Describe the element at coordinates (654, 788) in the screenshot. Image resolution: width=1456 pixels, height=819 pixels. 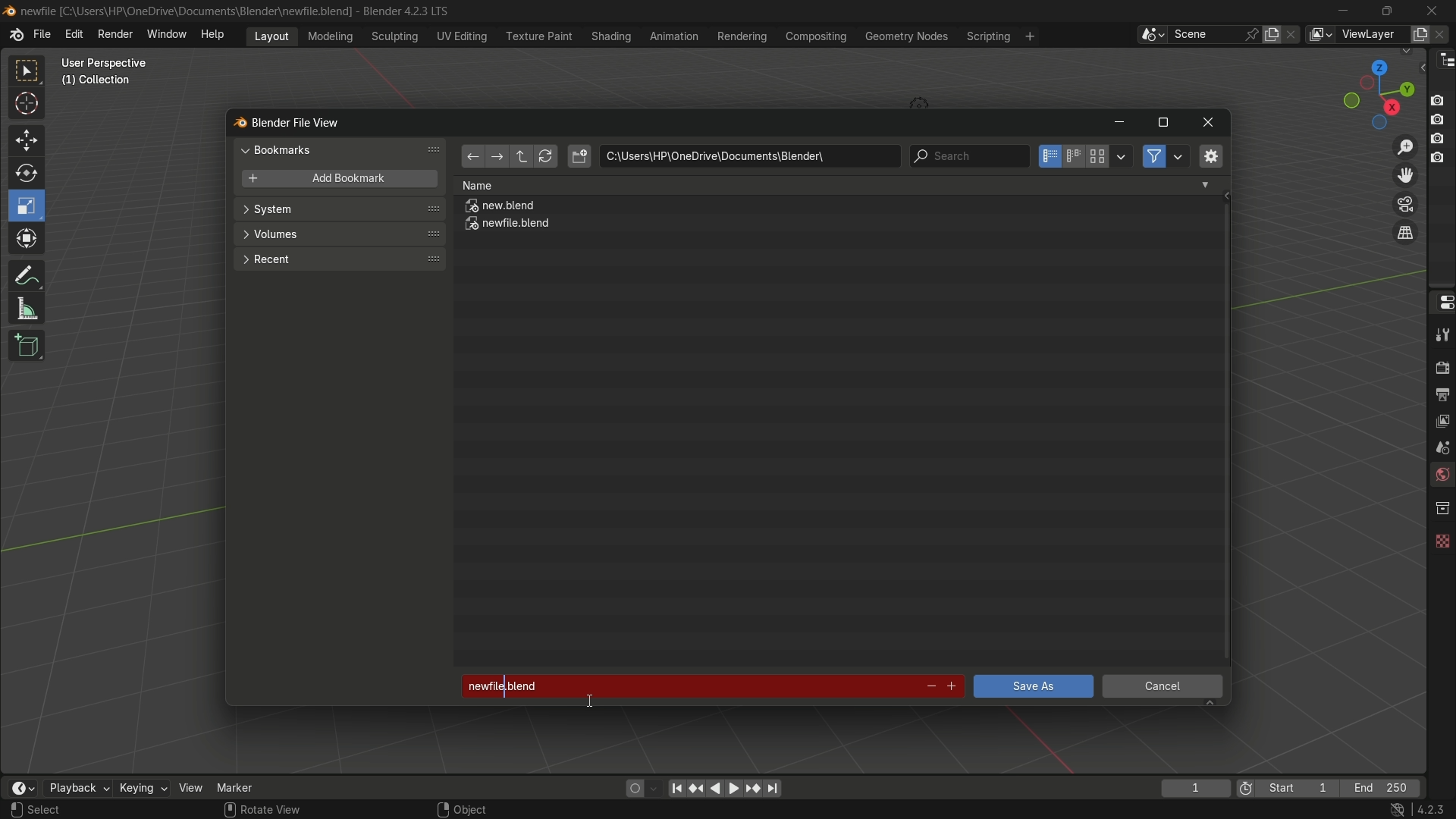
I see `auto keyframe` at that location.